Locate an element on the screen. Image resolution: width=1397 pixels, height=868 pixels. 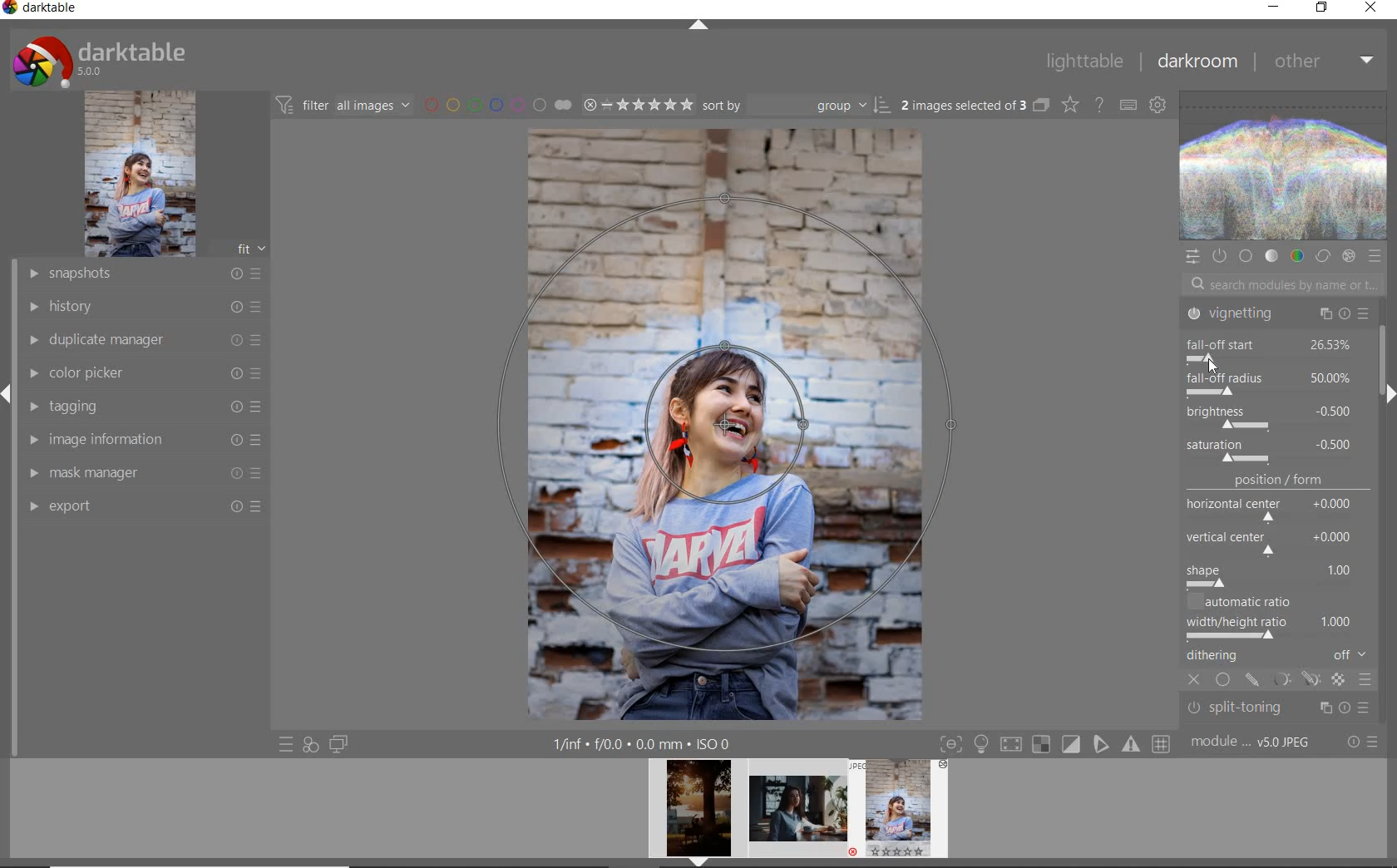
image preview is located at coordinates (798, 813).